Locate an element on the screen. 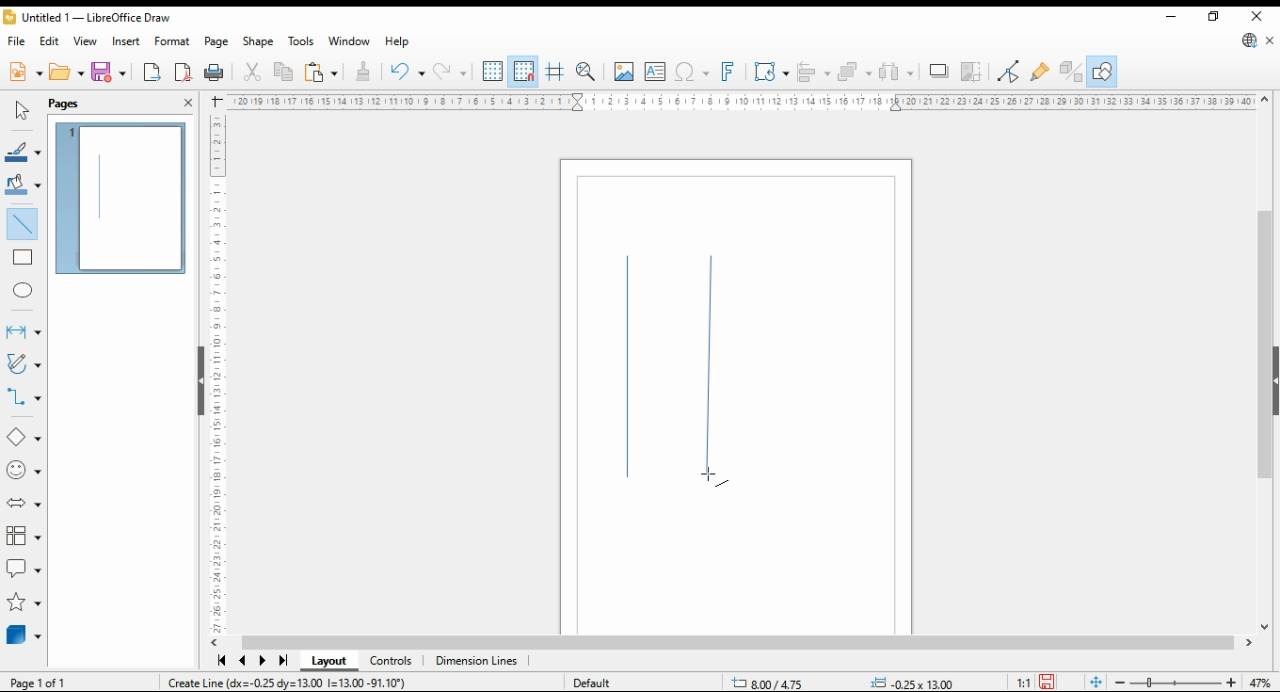  3D objects is located at coordinates (24, 636).